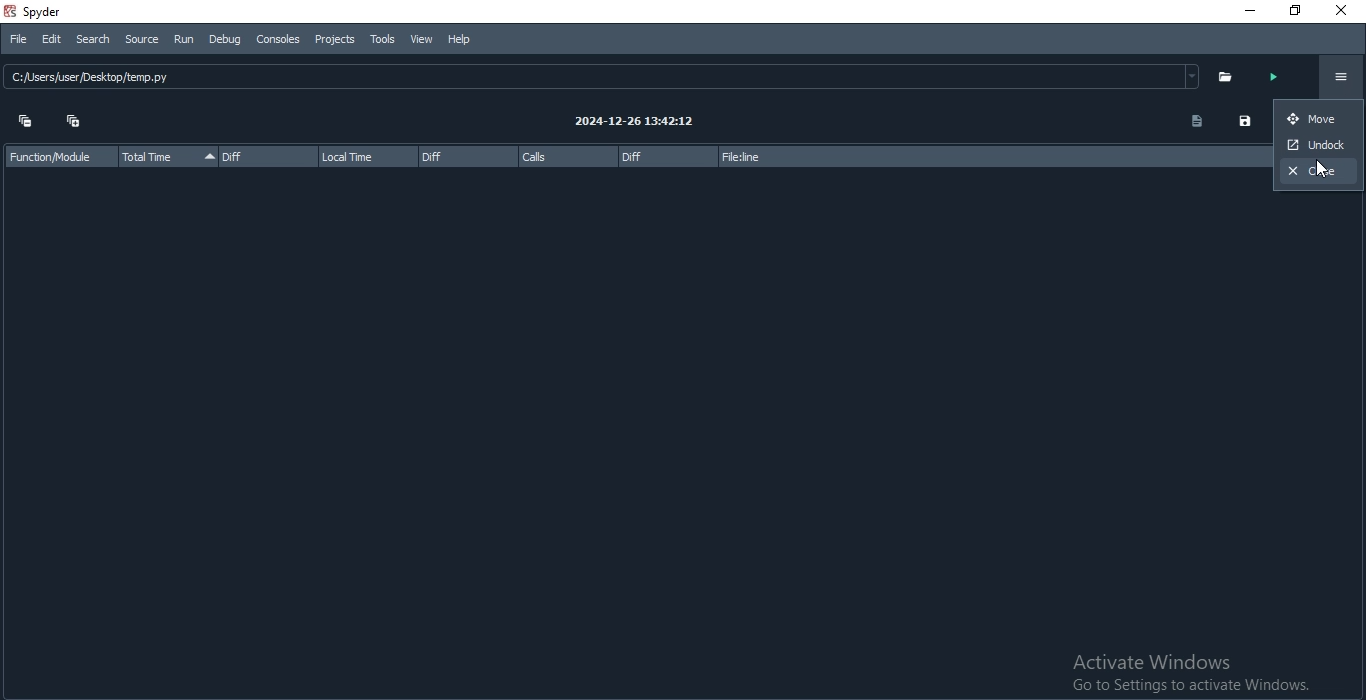  Describe the element at coordinates (367, 155) in the screenshot. I see `local time` at that location.